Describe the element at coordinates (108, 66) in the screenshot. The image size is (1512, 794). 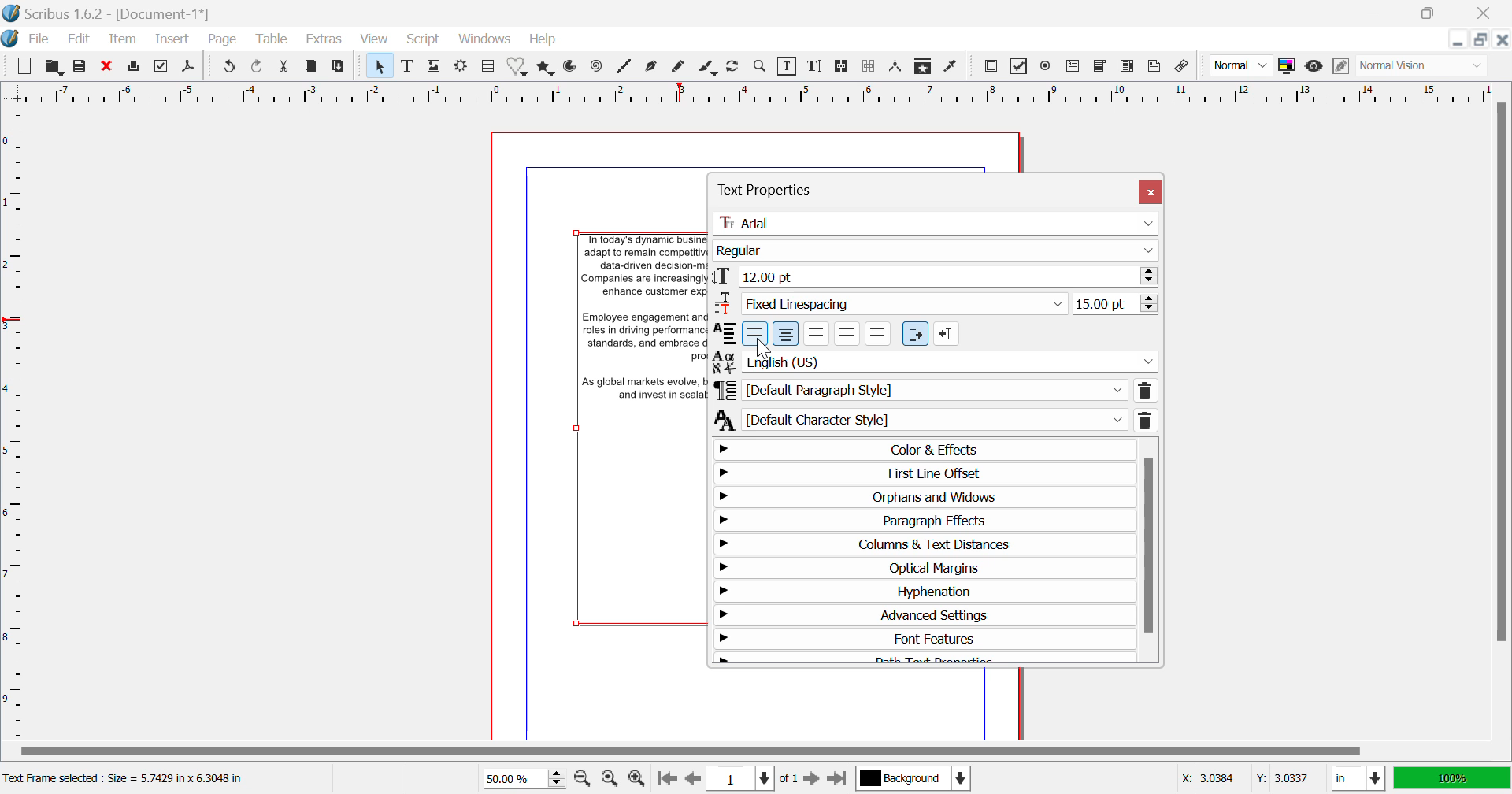
I see `Discard` at that location.